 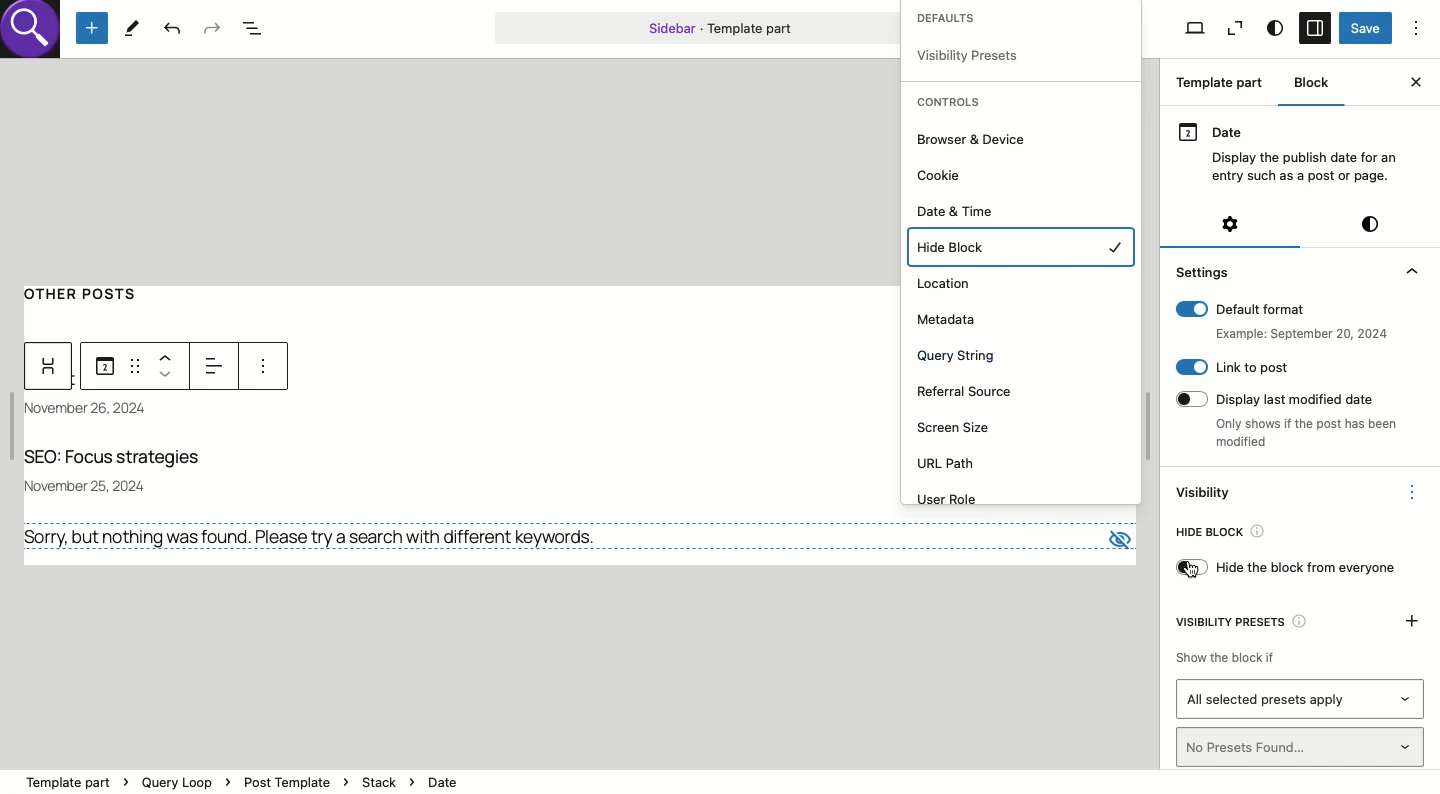 I want to click on Display last modified date, so click(x=1285, y=397).